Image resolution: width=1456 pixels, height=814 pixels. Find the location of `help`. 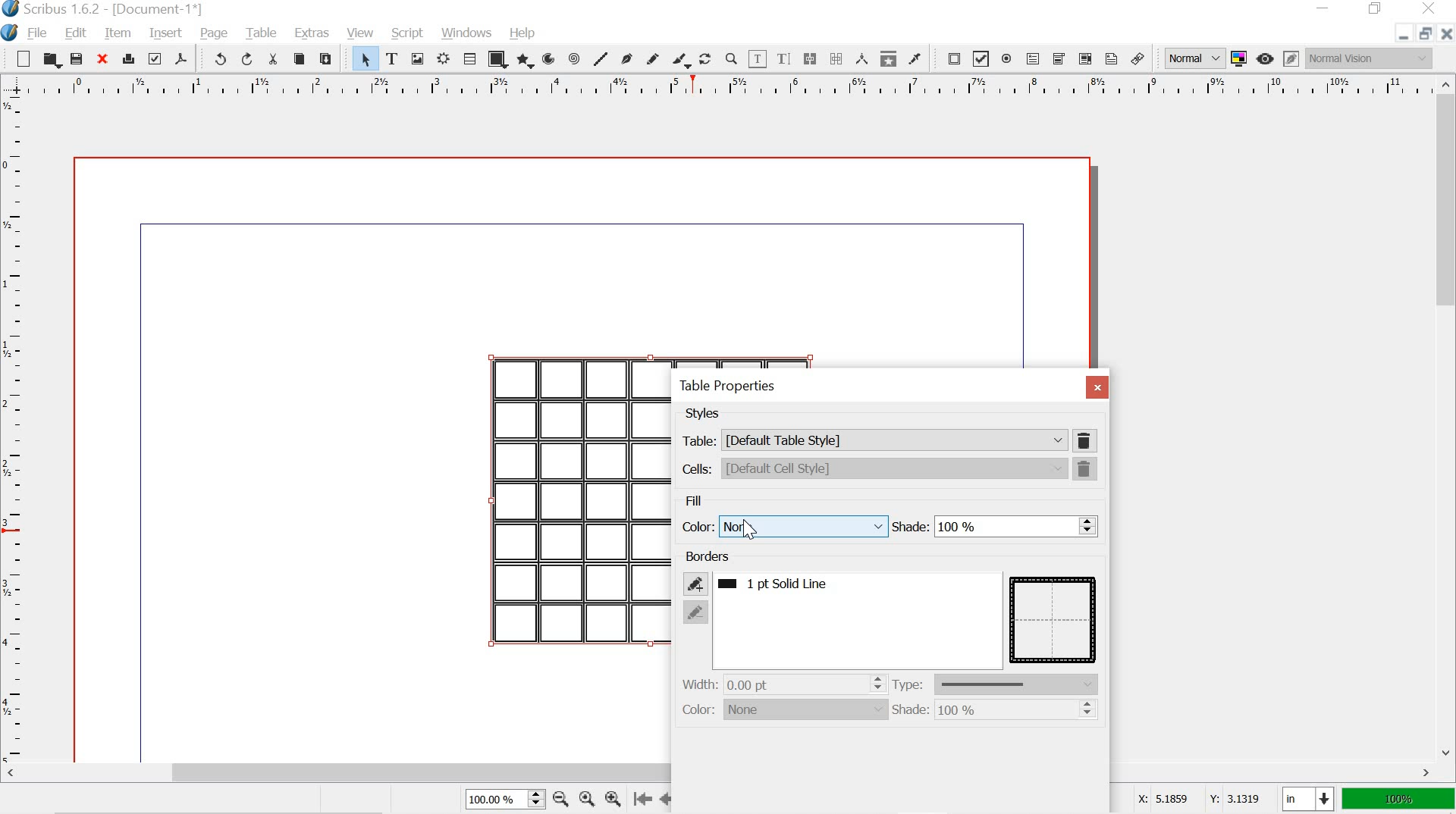

help is located at coordinates (523, 31).